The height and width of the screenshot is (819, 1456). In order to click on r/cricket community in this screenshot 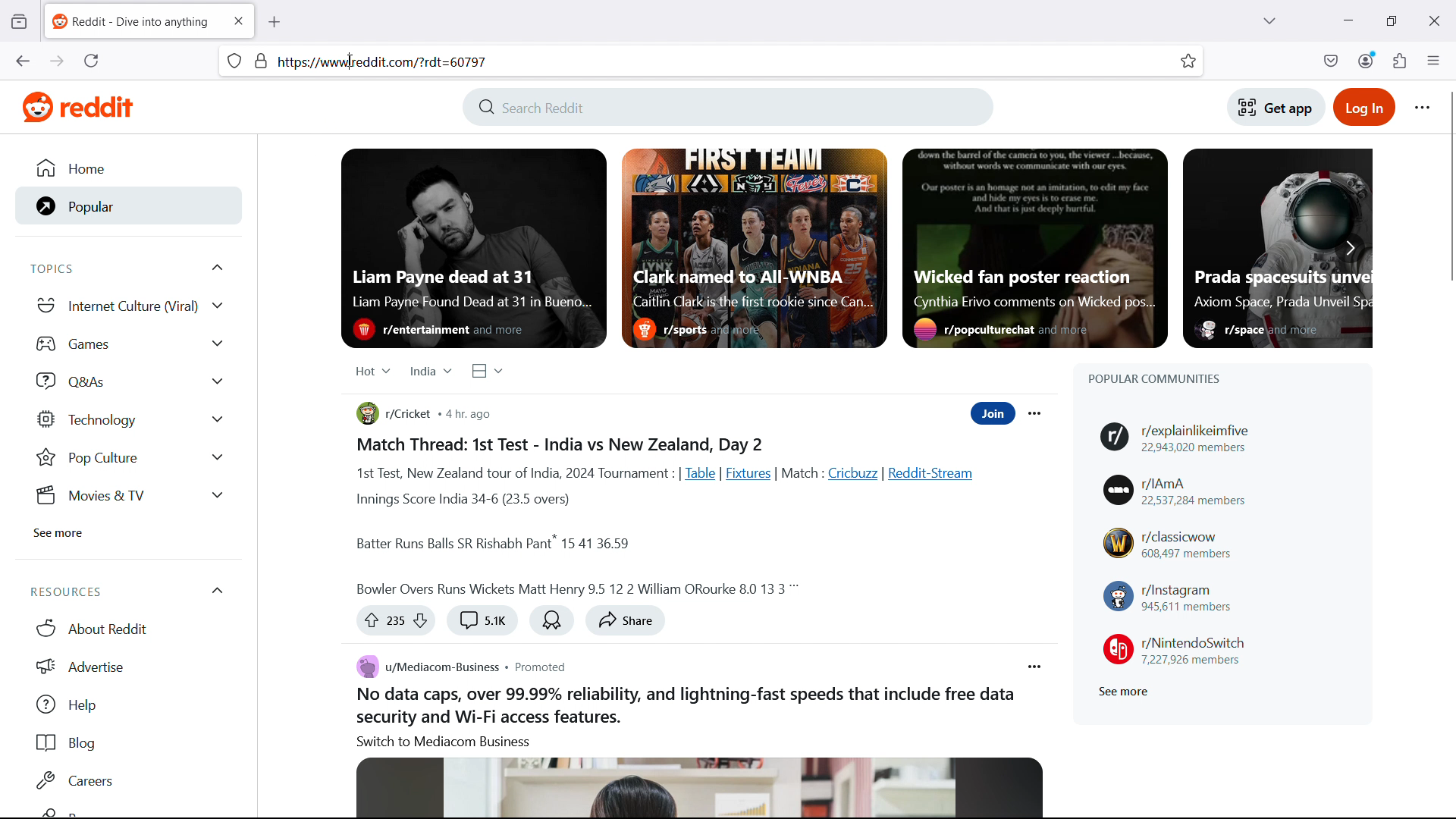, I will do `click(394, 414)`.